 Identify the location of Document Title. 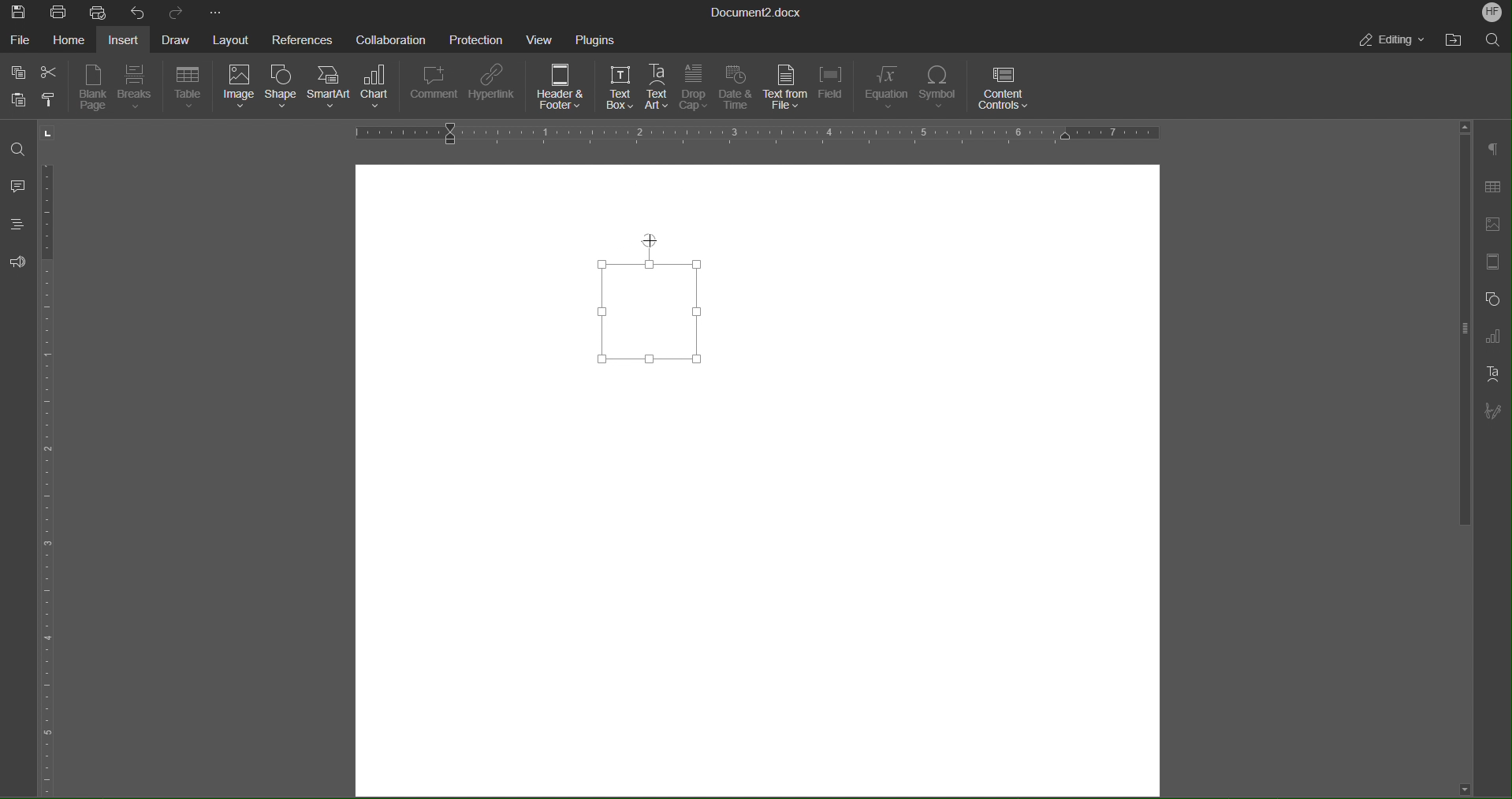
(757, 11).